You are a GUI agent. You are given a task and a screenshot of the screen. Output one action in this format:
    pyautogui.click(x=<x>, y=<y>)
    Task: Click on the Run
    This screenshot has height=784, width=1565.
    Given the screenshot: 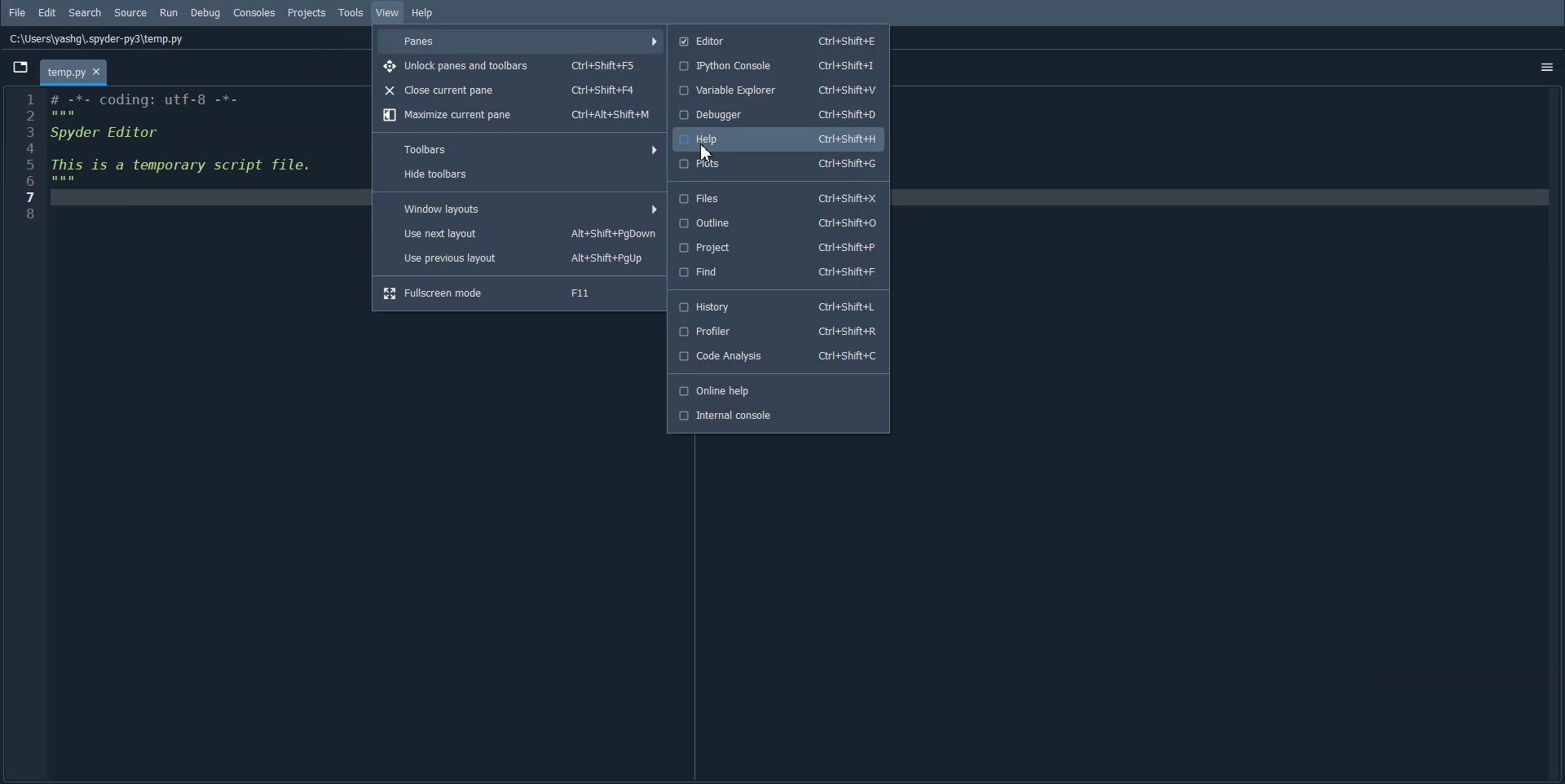 What is the action you would take?
    pyautogui.click(x=170, y=11)
    